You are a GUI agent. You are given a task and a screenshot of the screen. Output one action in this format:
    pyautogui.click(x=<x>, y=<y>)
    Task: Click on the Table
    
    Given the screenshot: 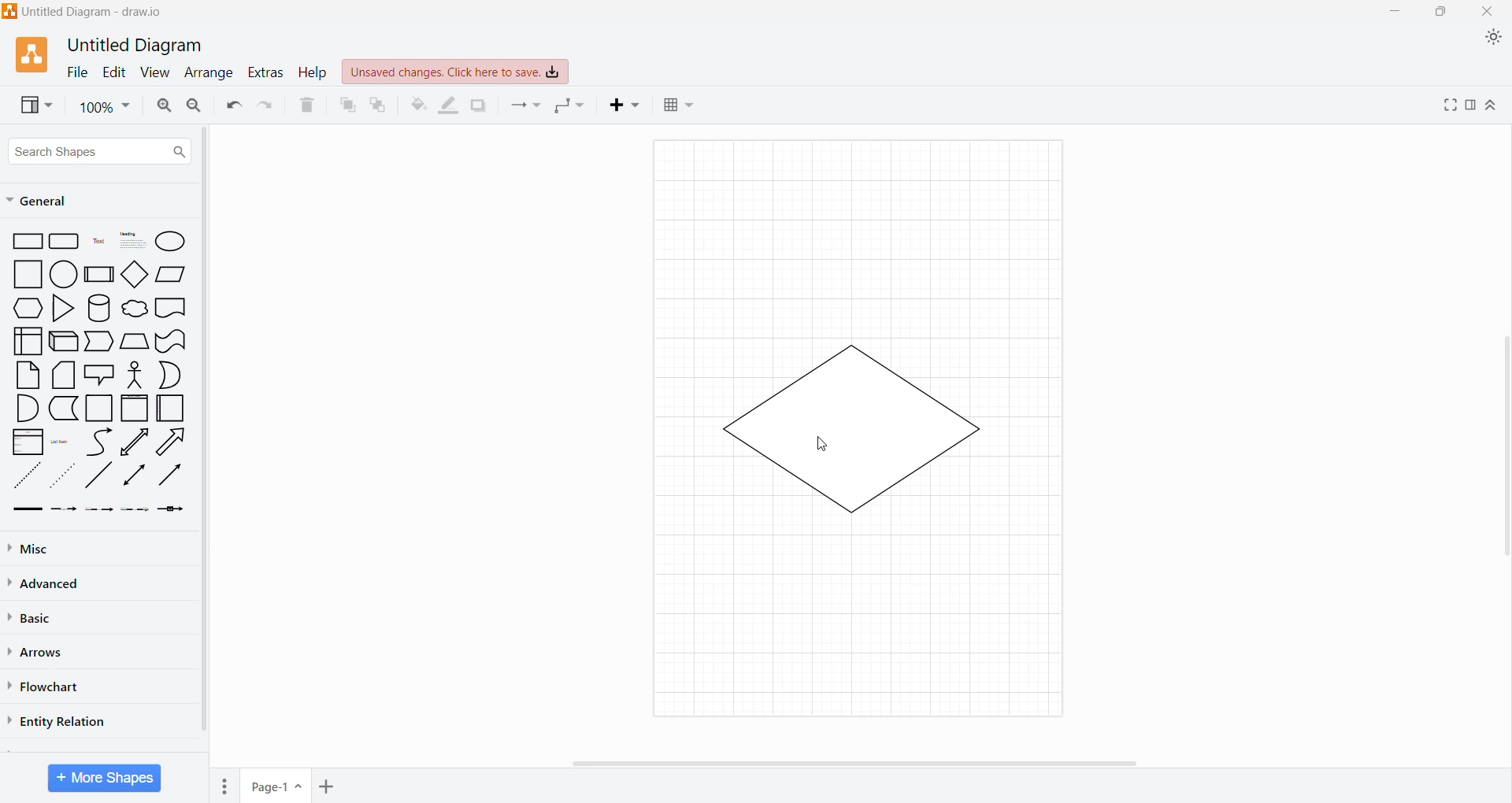 What is the action you would take?
    pyautogui.click(x=679, y=107)
    